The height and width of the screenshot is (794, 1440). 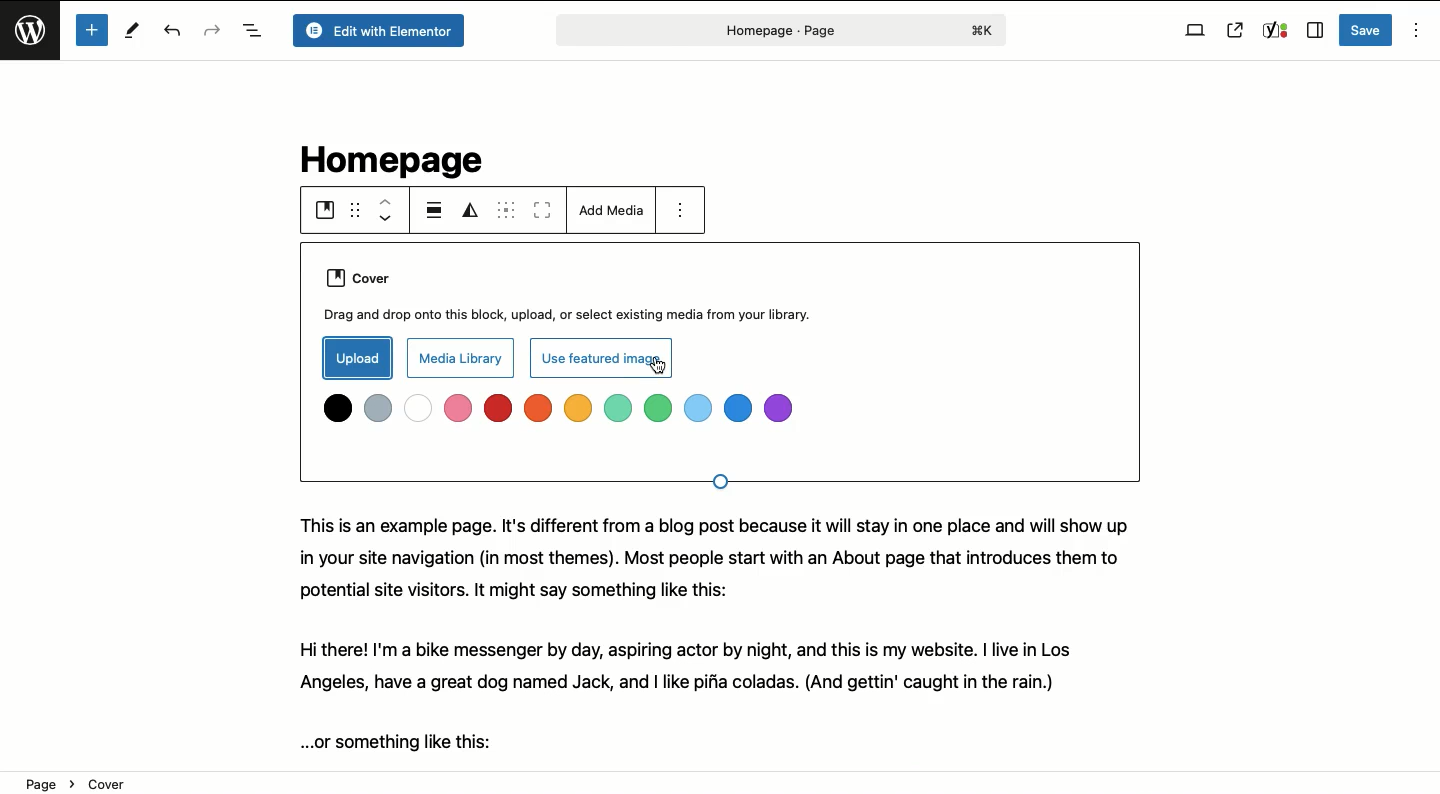 I want to click on Colors, so click(x=555, y=410).